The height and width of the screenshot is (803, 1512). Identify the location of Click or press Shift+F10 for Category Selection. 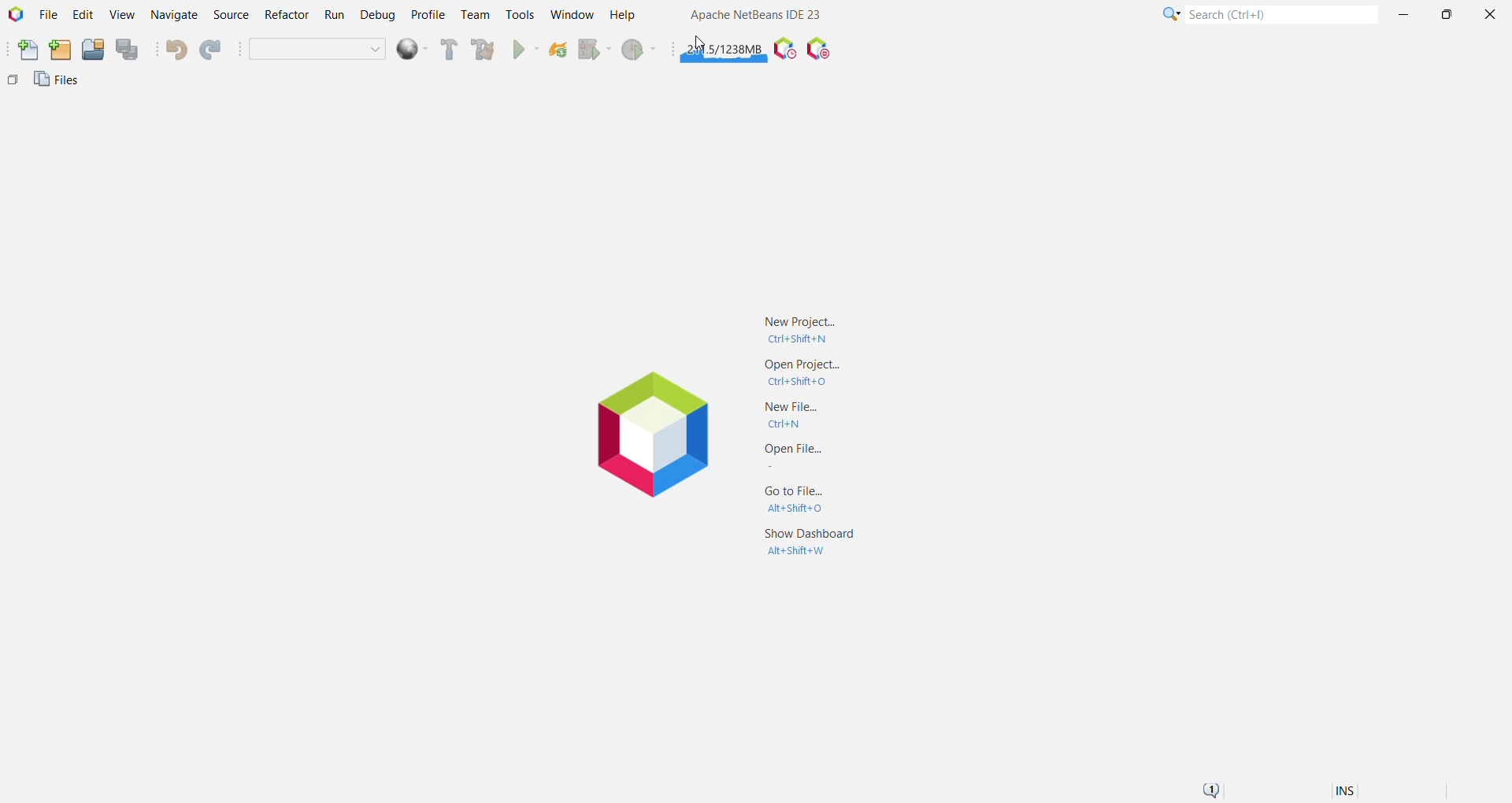
(1169, 13).